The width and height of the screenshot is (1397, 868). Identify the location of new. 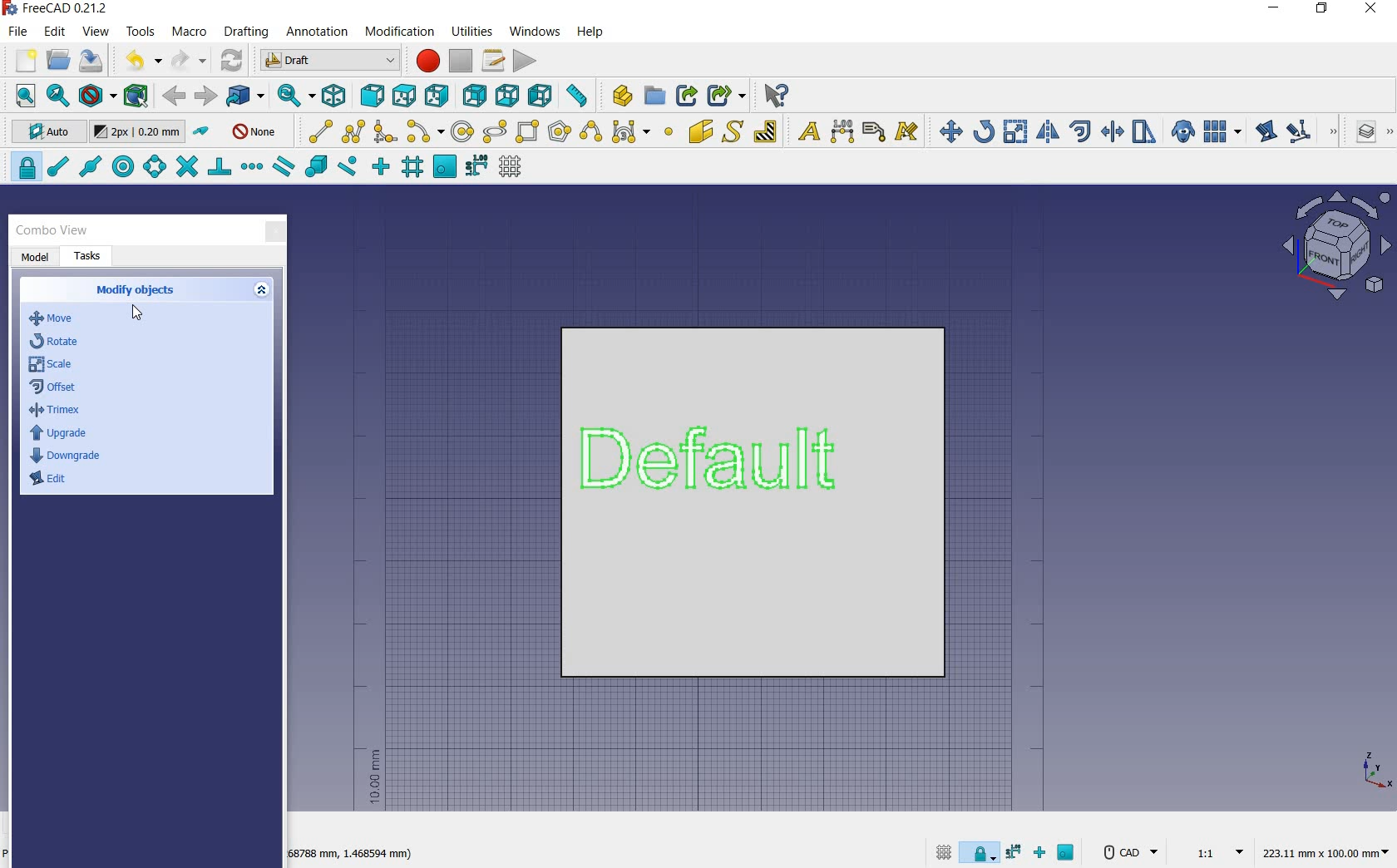
(19, 62).